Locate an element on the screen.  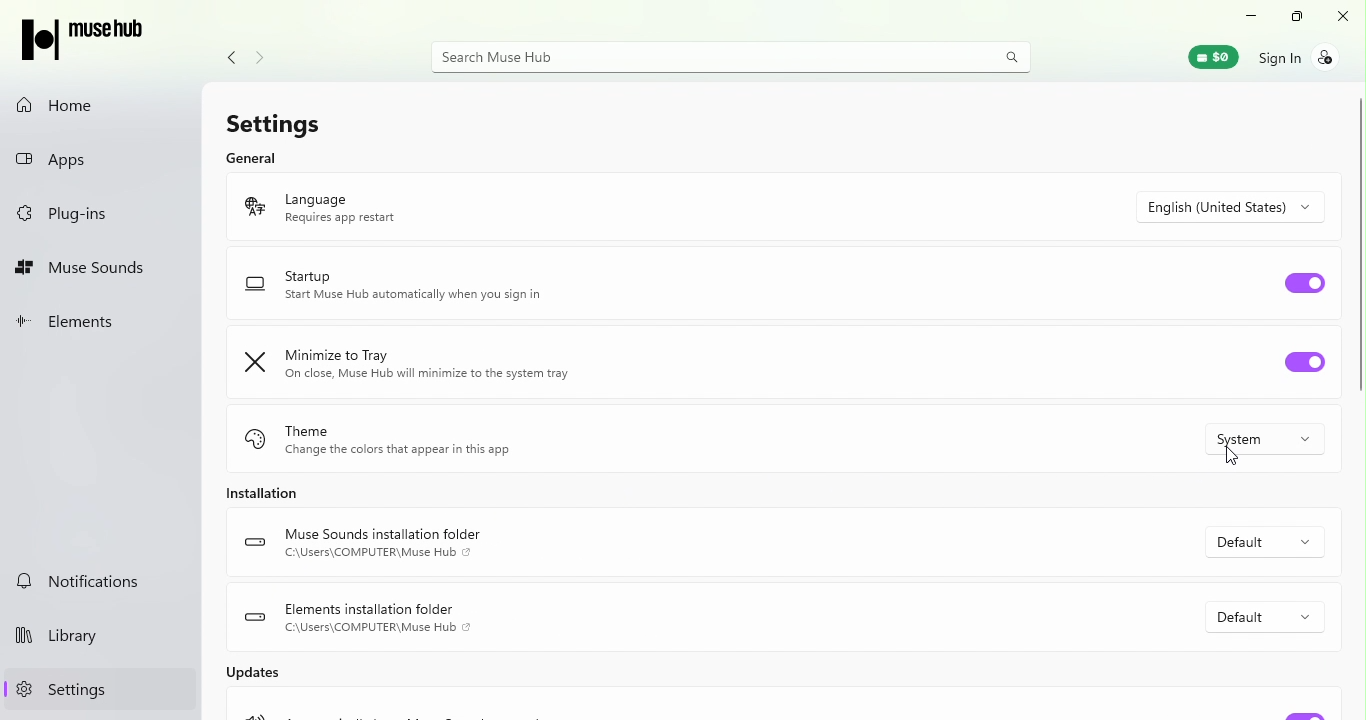
theme logo is located at coordinates (254, 443).